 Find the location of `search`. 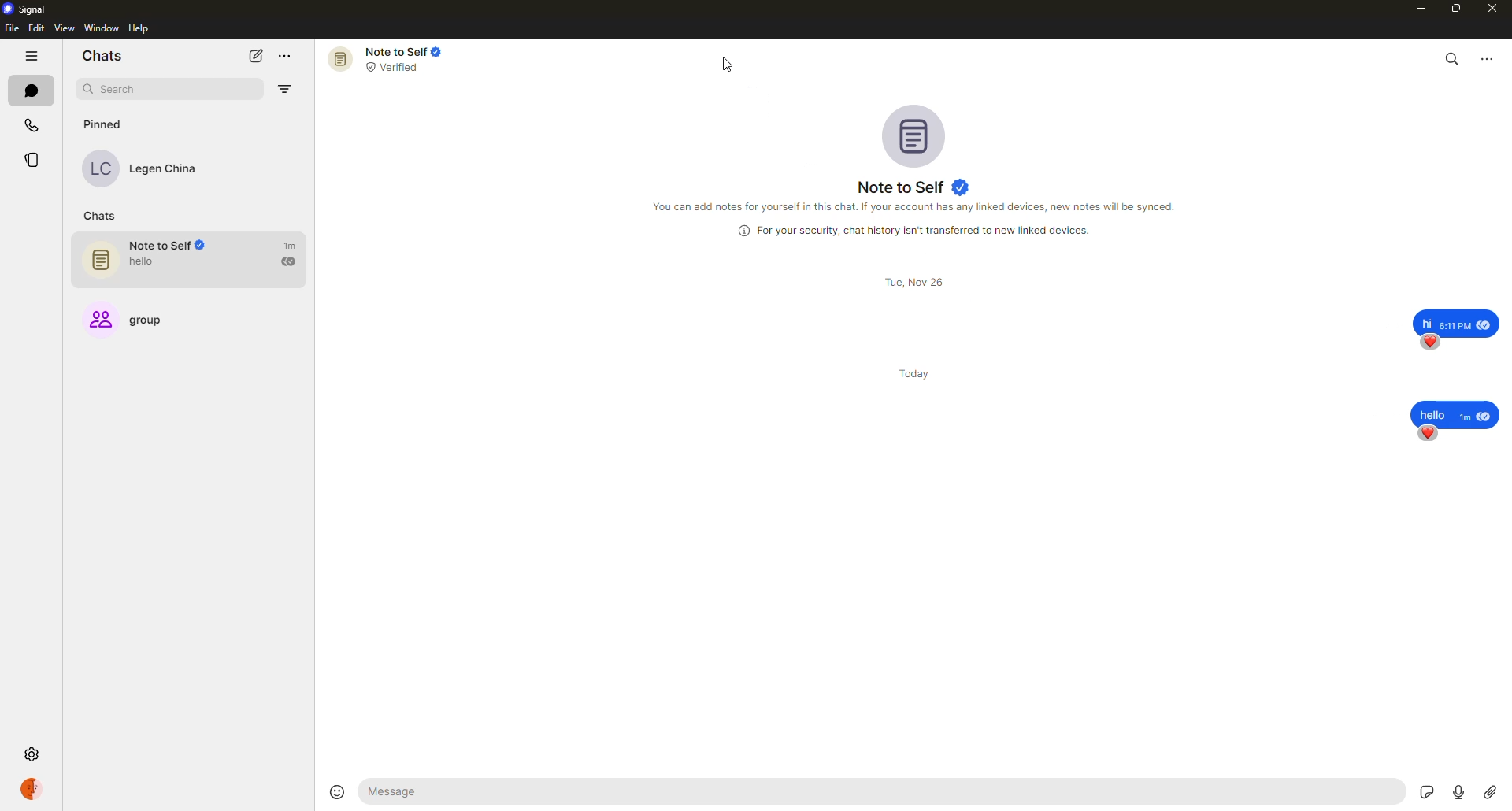

search is located at coordinates (139, 89).